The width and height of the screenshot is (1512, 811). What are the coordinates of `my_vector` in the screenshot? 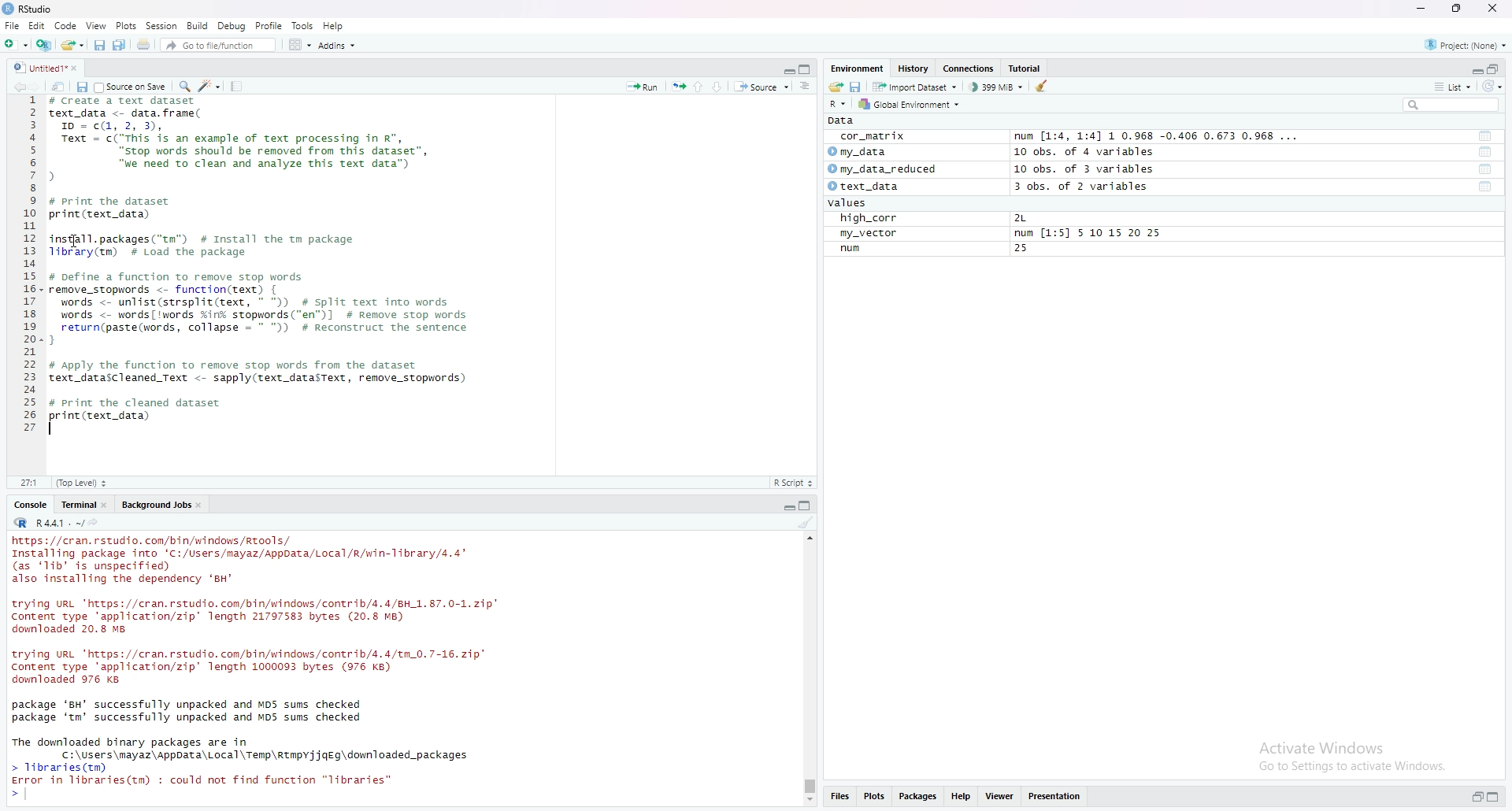 It's located at (870, 234).